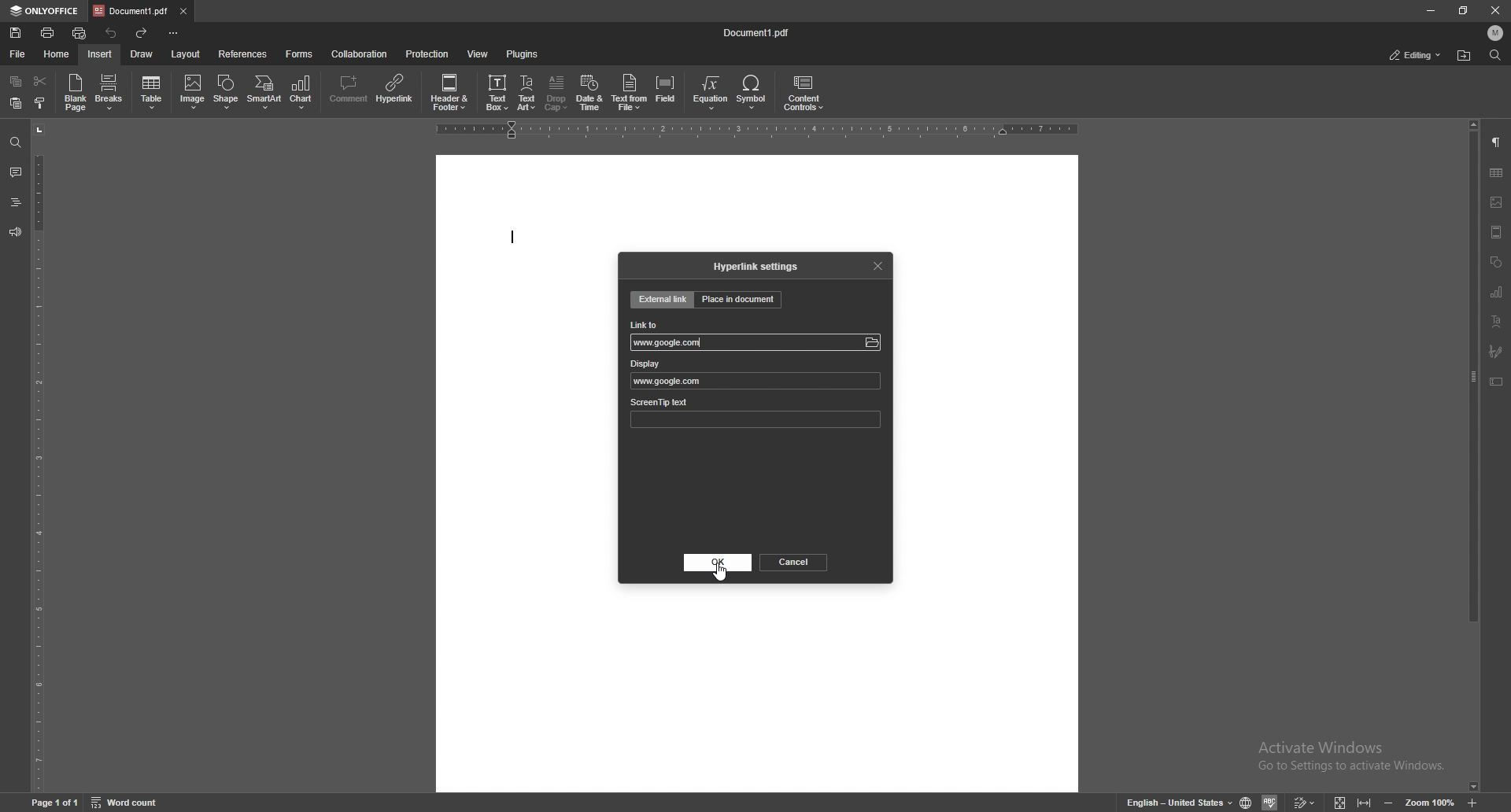 The image size is (1511, 812). I want to click on drop cap, so click(556, 93).